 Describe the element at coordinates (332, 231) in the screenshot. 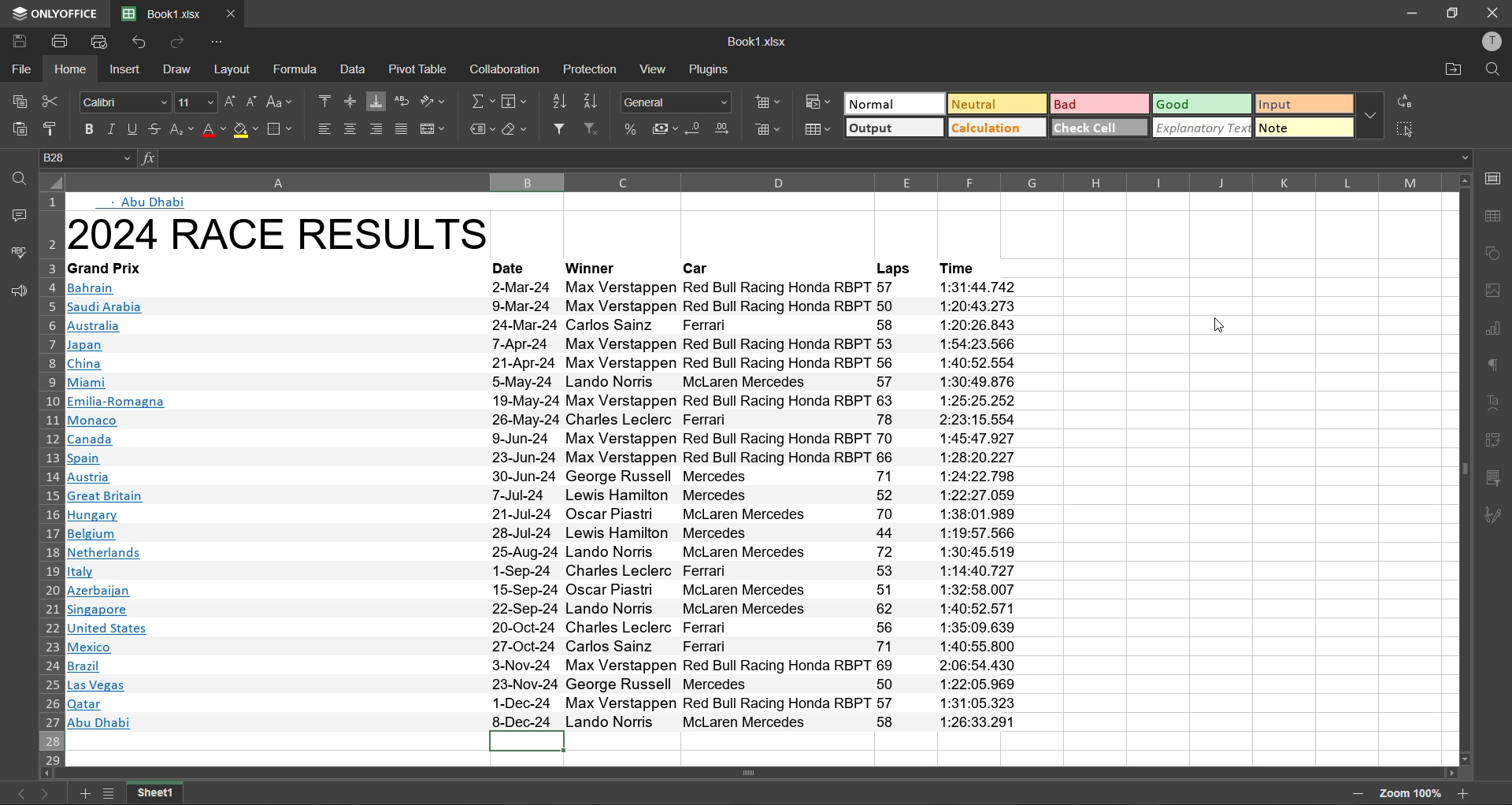

I see `12024 RACE RESULTS` at that location.